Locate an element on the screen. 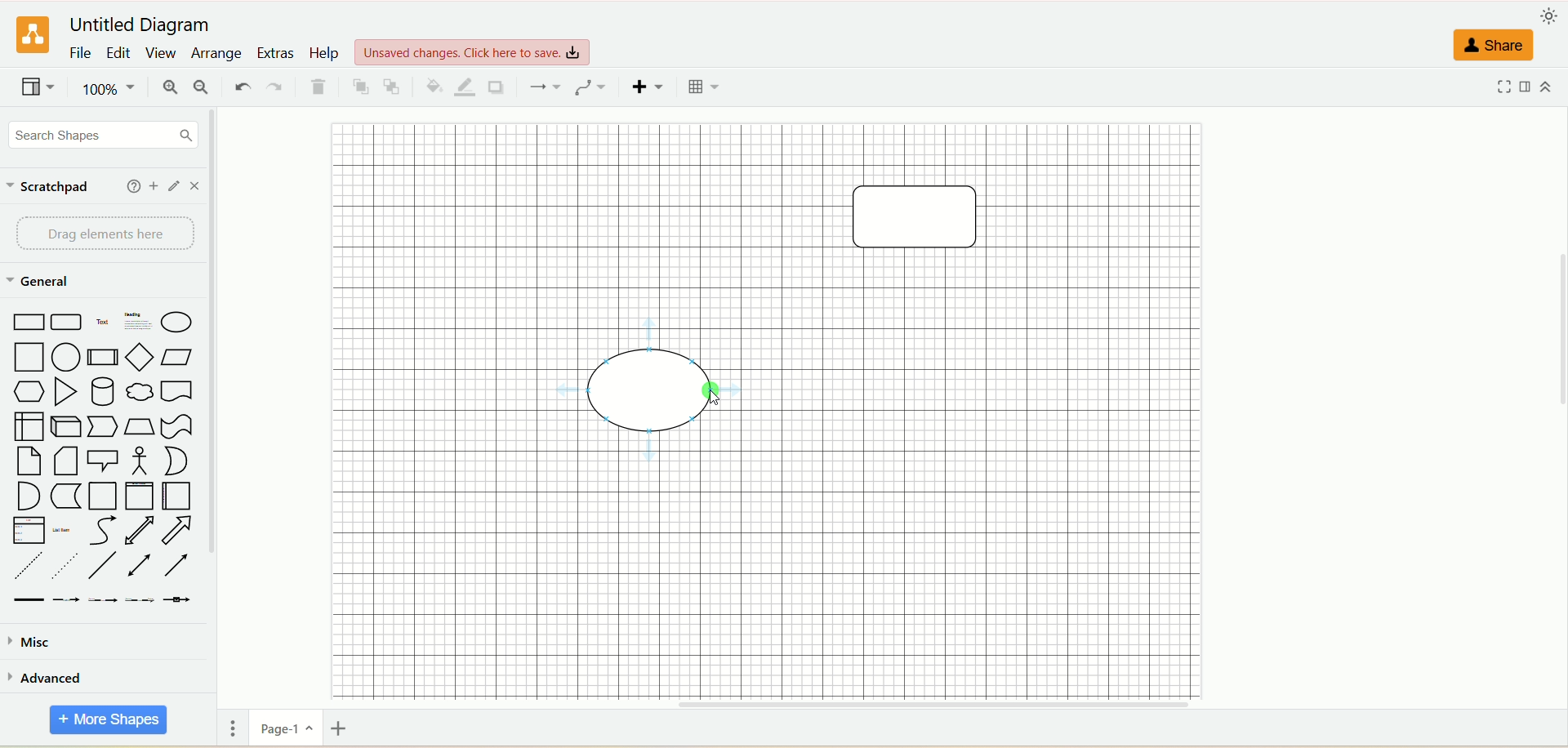  zoom factor is located at coordinates (107, 91).